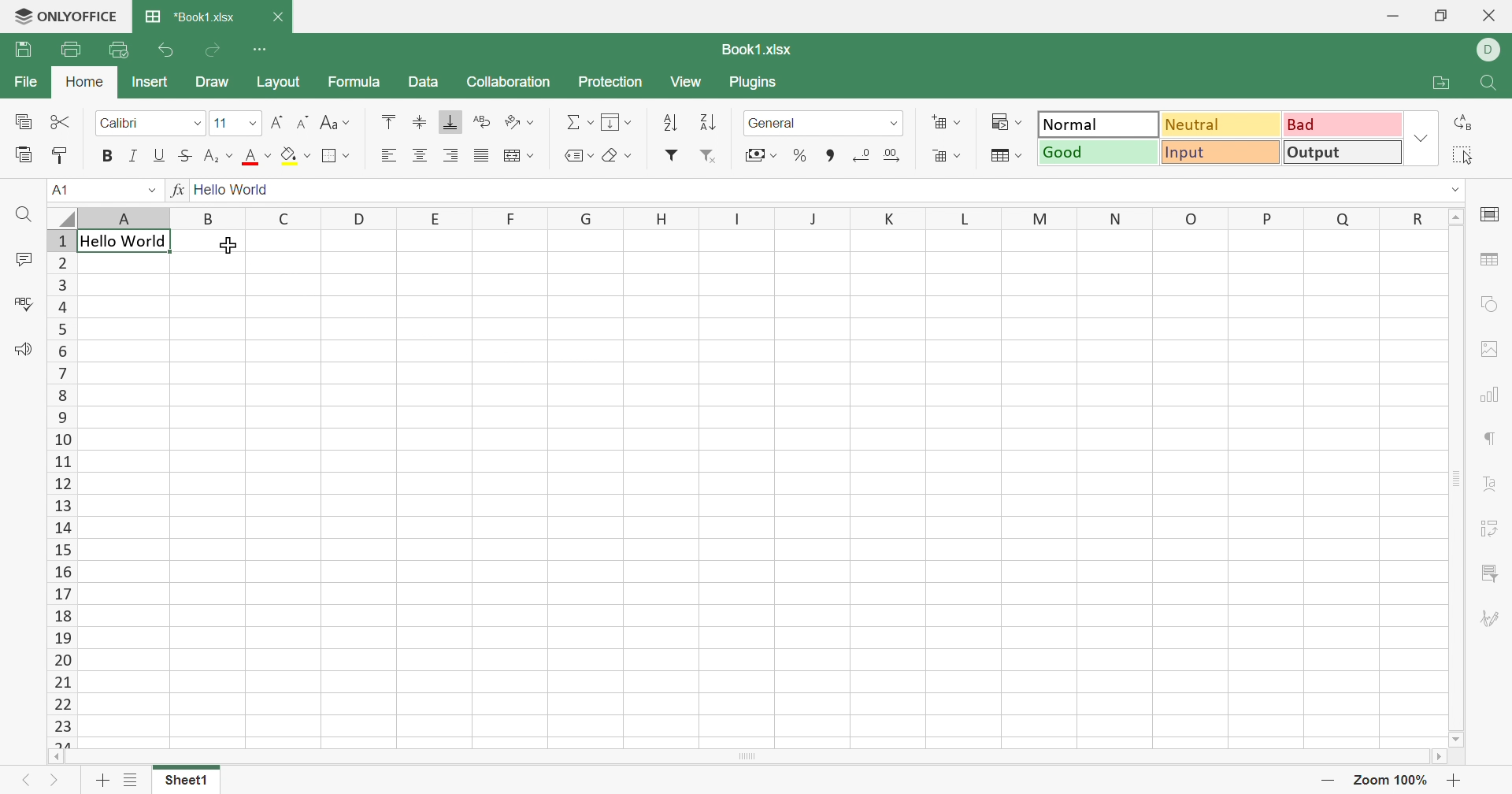 The image size is (1512, 794). I want to click on Align center, so click(420, 154).